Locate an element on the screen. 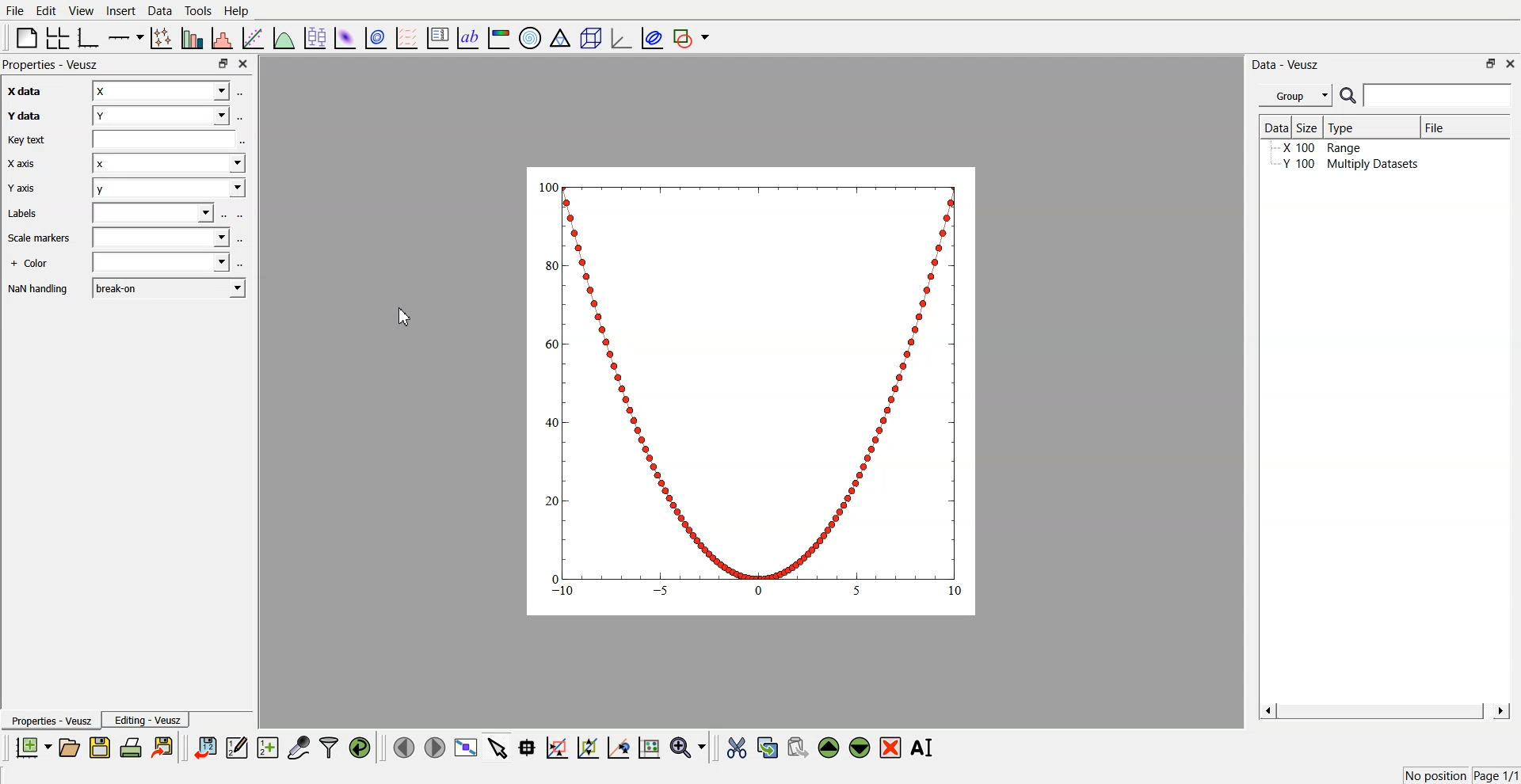 This screenshot has width=1521, height=784. zoom out the graph axes is located at coordinates (586, 747).